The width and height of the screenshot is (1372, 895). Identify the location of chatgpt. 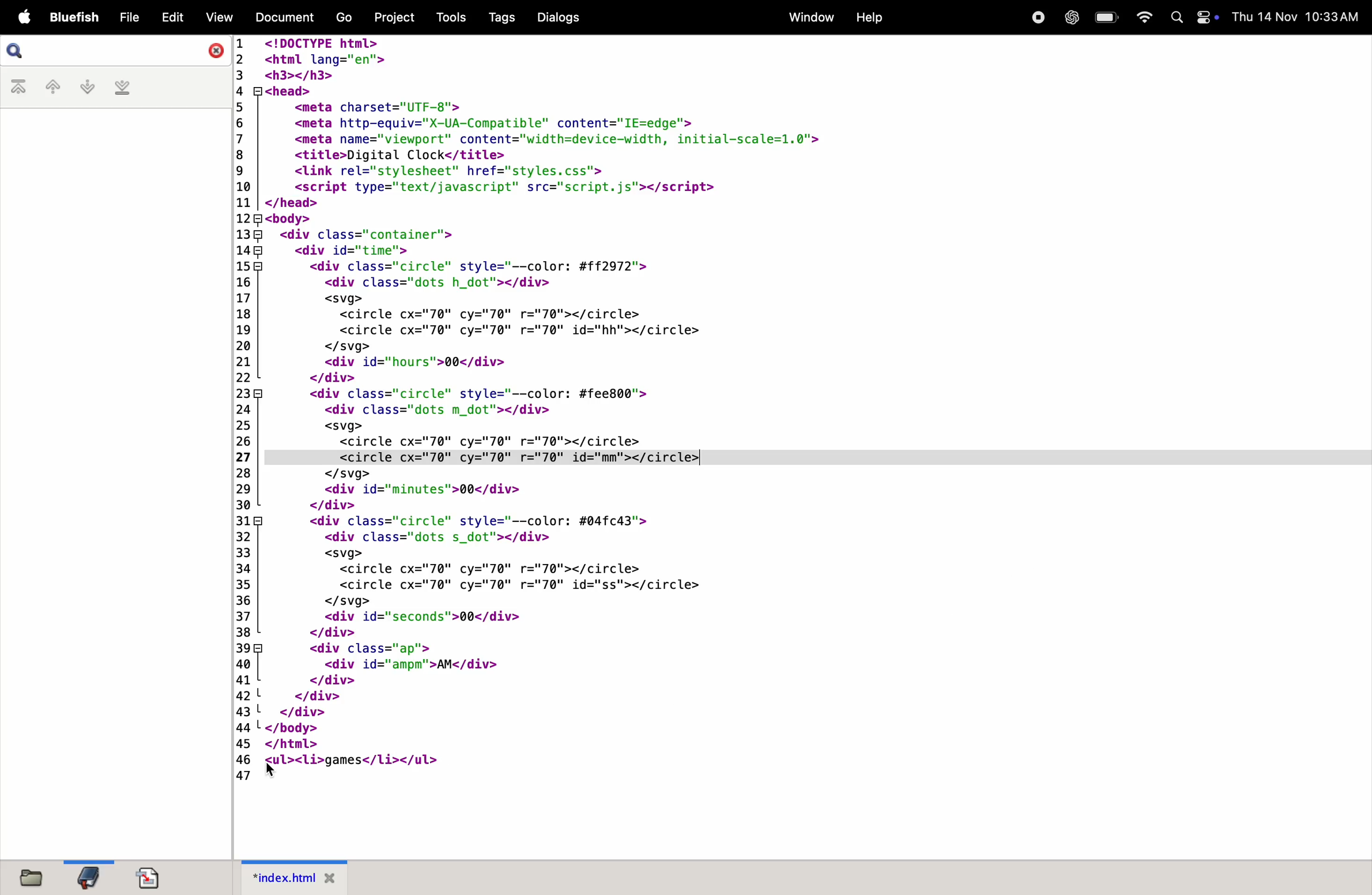
(1071, 18).